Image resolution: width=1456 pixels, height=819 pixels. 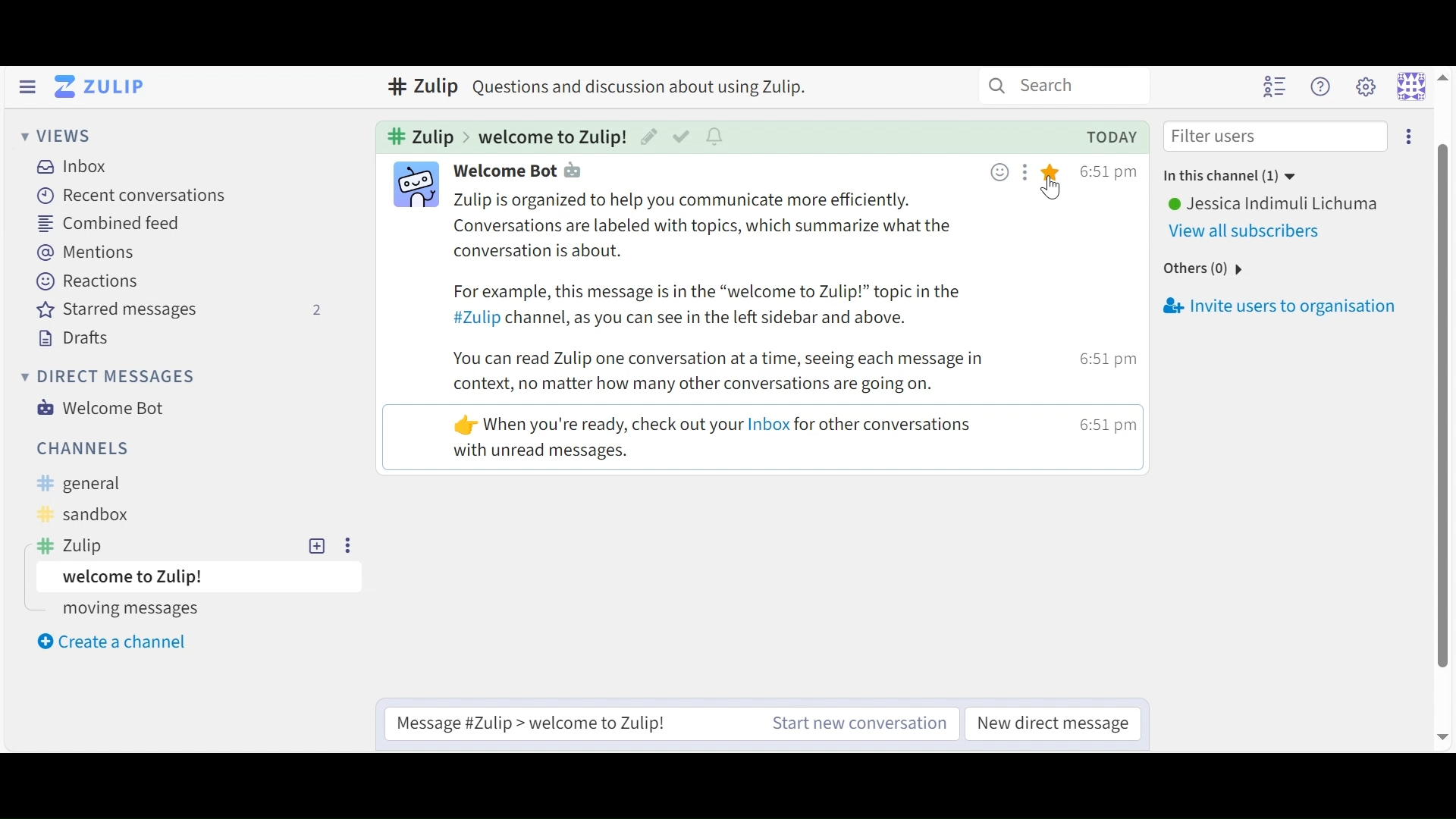 I want to click on Welcome Bot, so click(x=101, y=409).